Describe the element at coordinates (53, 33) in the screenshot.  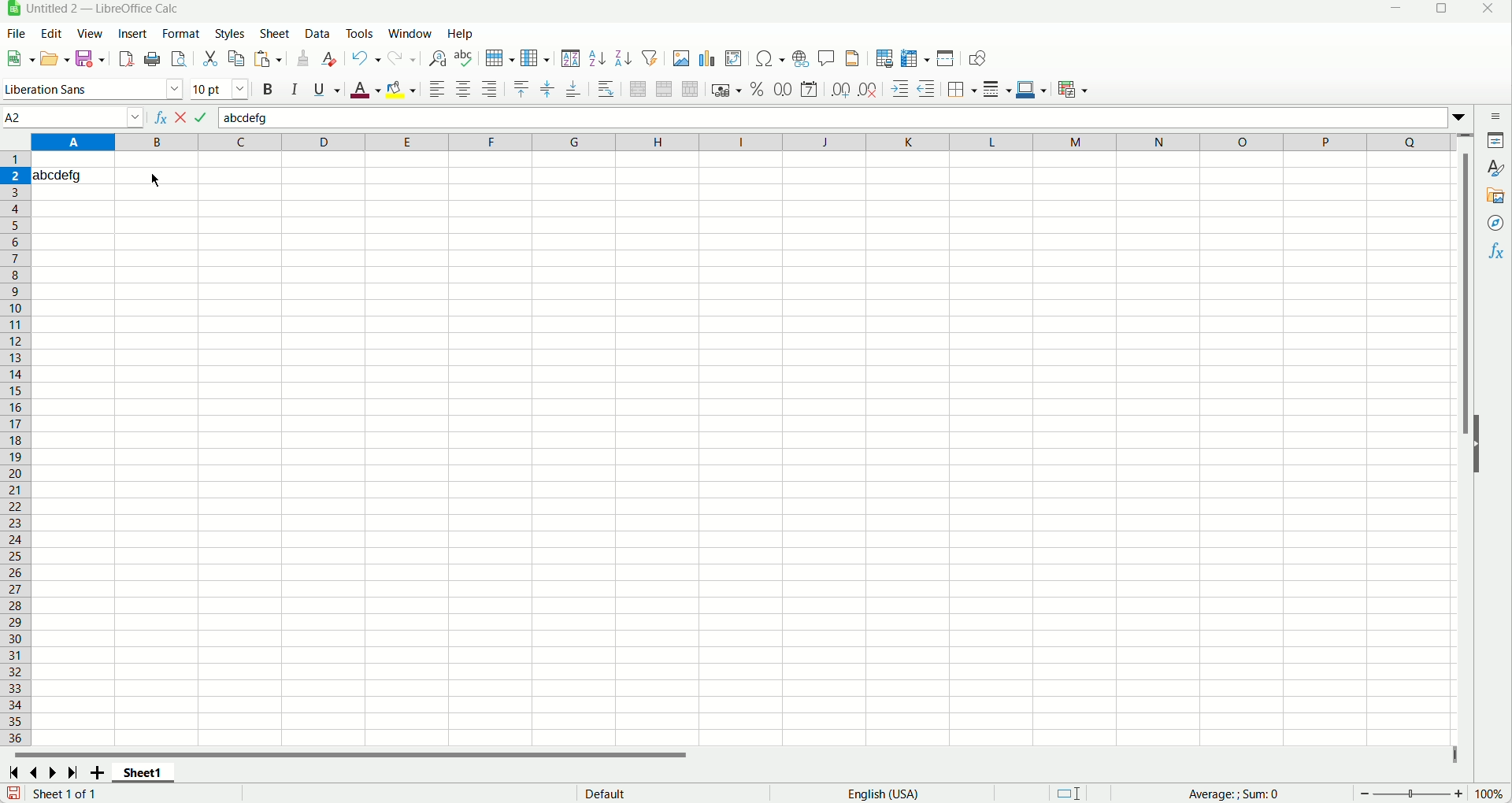
I see `edit` at that location.